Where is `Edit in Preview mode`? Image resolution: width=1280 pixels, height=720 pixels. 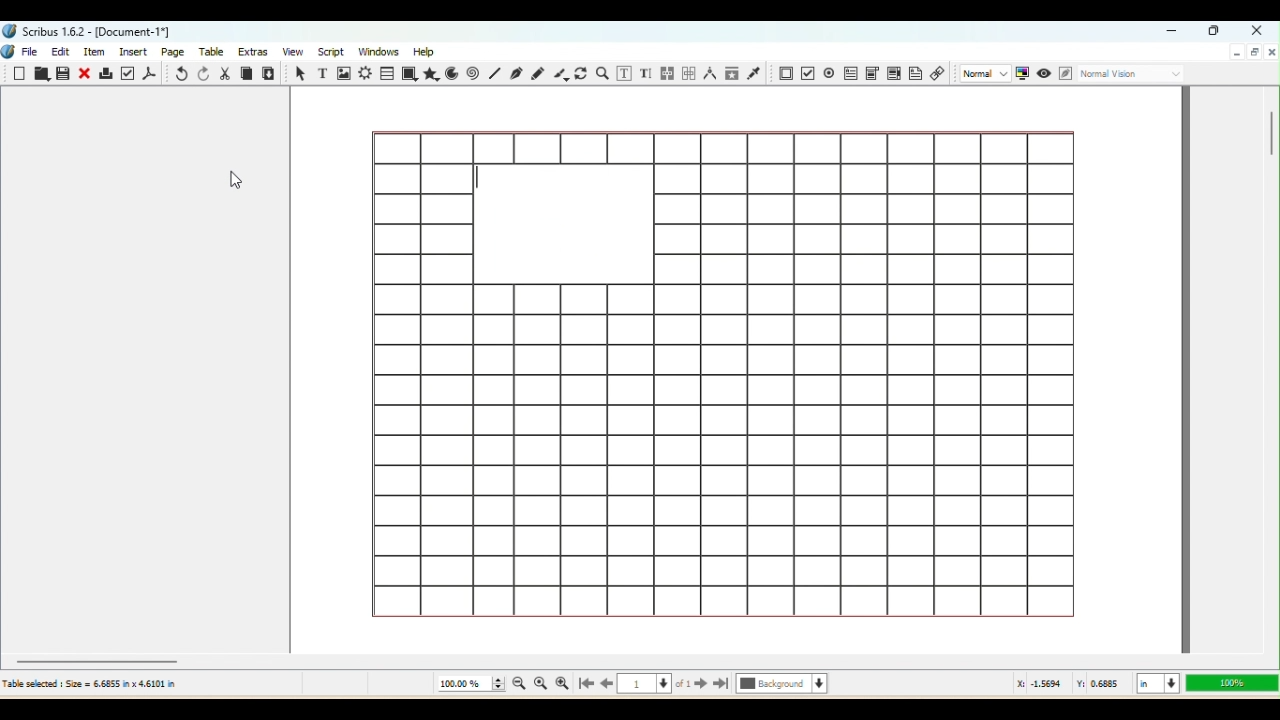
Edit in Preview mode is located at coordinates (1064, 74).